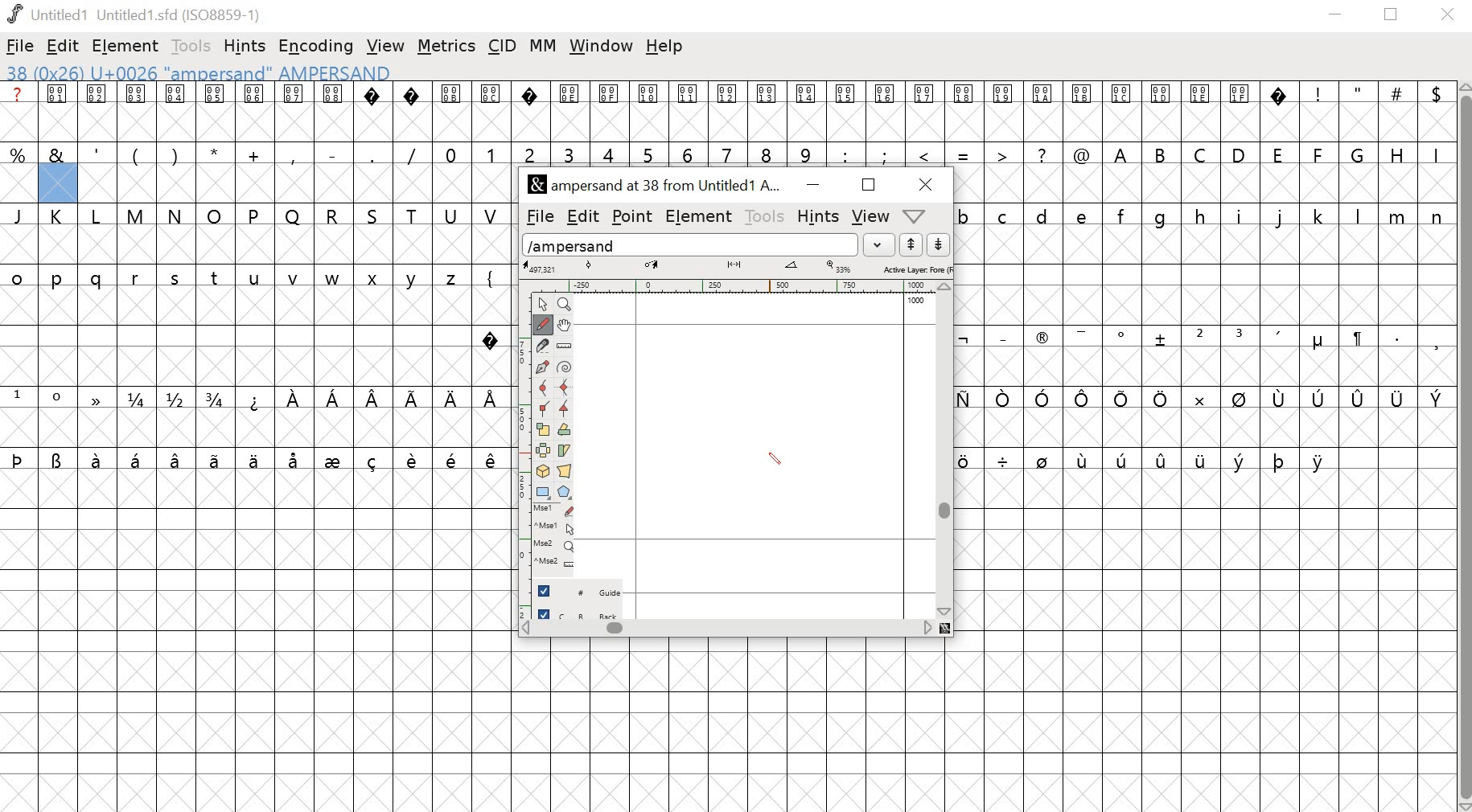 The image size is (1472, 812). What do you see at coordinates (1084, 459) in the screenshot?
I see `symbol` at bounding box center [1084, 459].